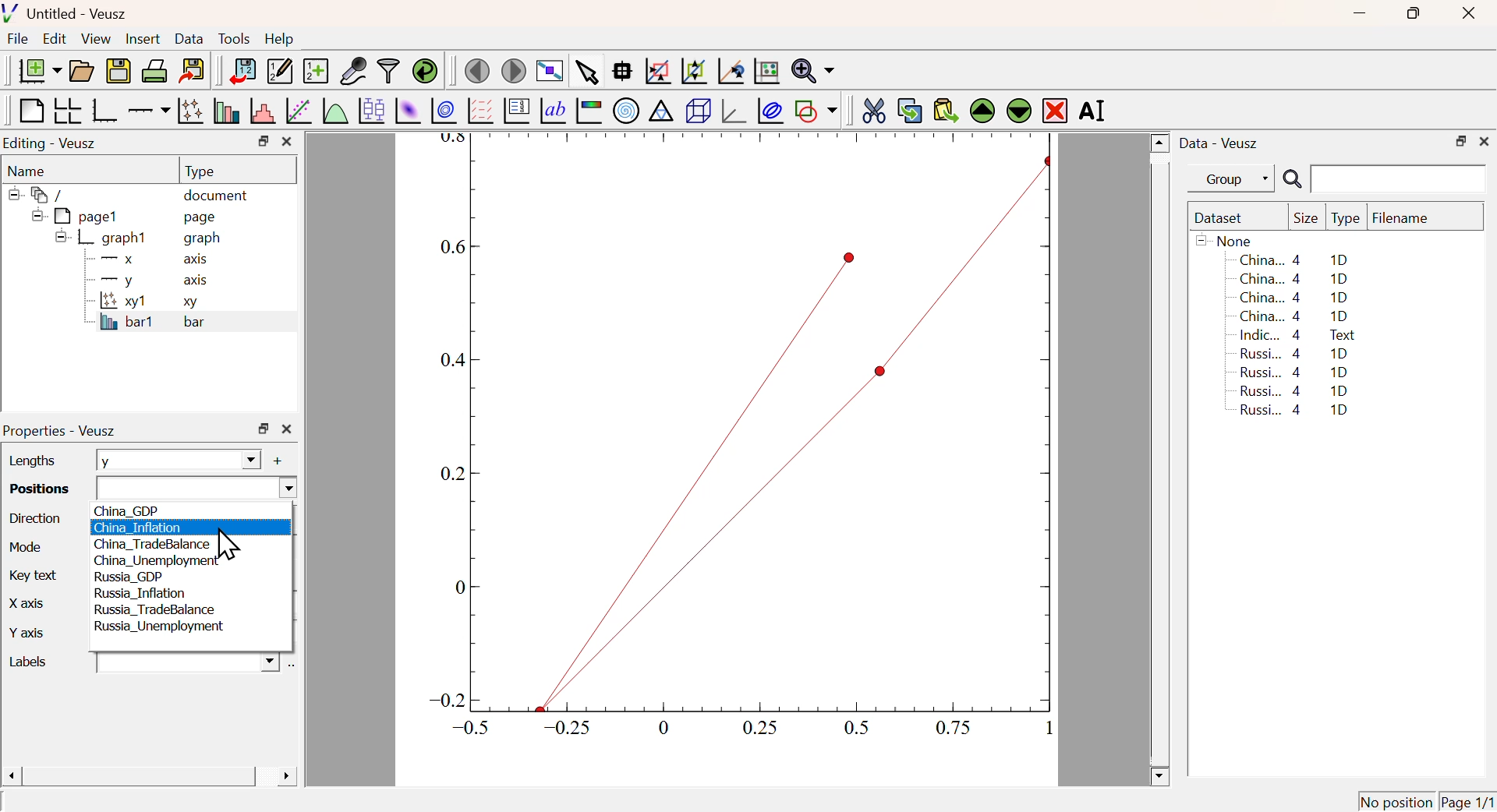 Image resolution: width=1497 pixels, height=812 pixels. Describe the element at coordinates (1226, 240) in the screenshot. I see `None` at that location.